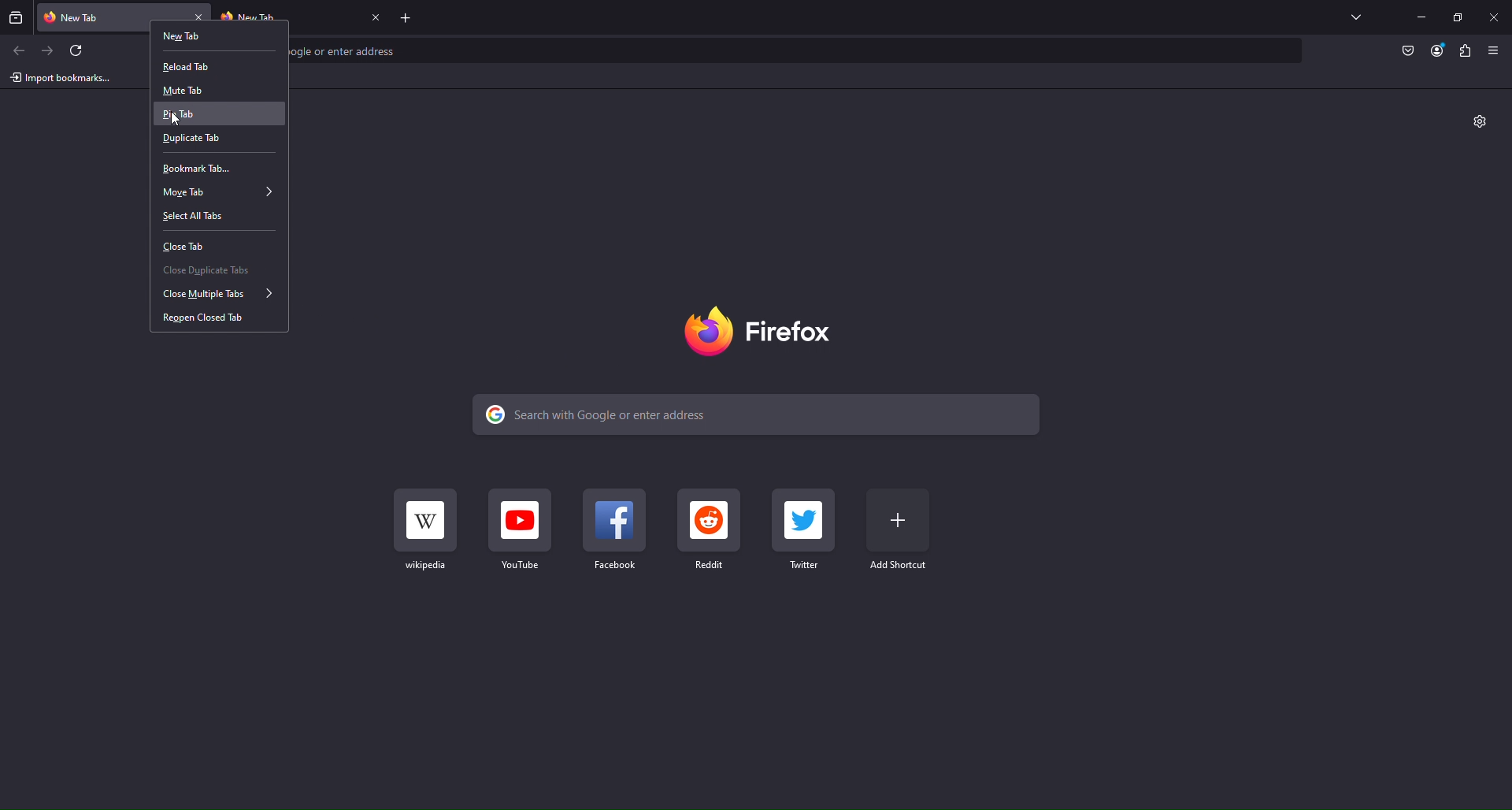 Image resolution: width=1512 pixels, height=810 pixels. Describe the element at coordinates (81, 51) in the screenshot. I see `Refresh` at that location.